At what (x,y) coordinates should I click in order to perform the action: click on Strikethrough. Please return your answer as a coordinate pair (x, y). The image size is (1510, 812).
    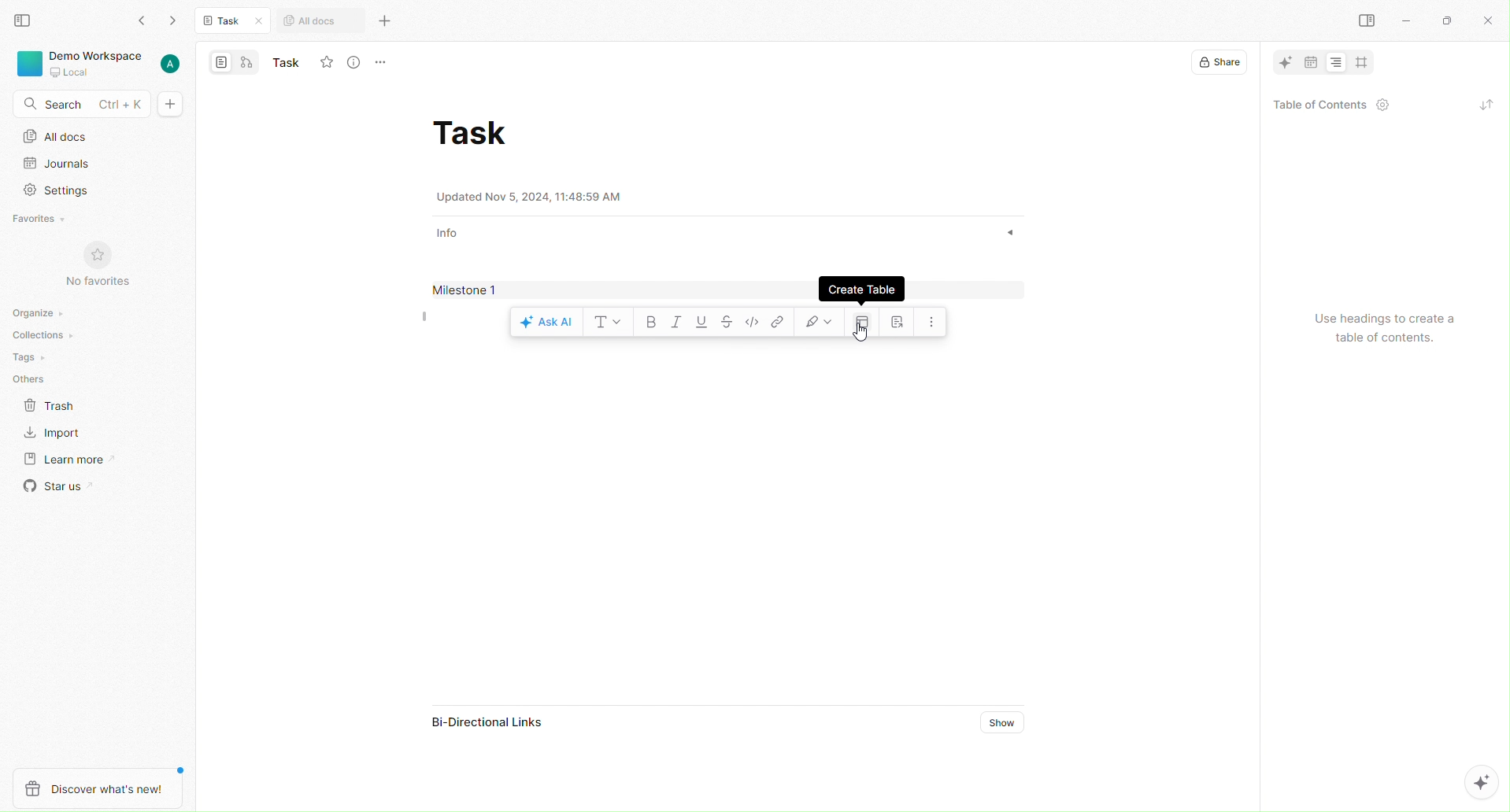
    Looking at the image, I should click on (729, 323).